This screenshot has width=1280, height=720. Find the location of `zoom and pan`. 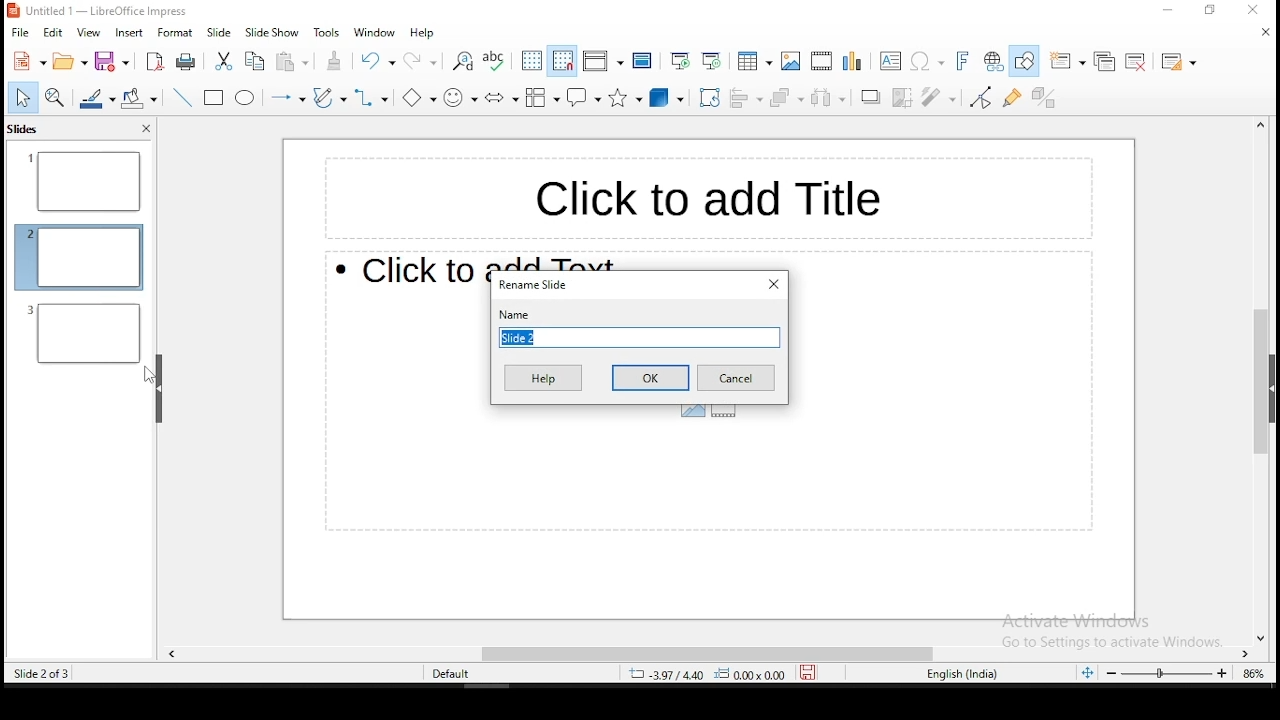

zoom and pan is located at coordinates (55, 97).